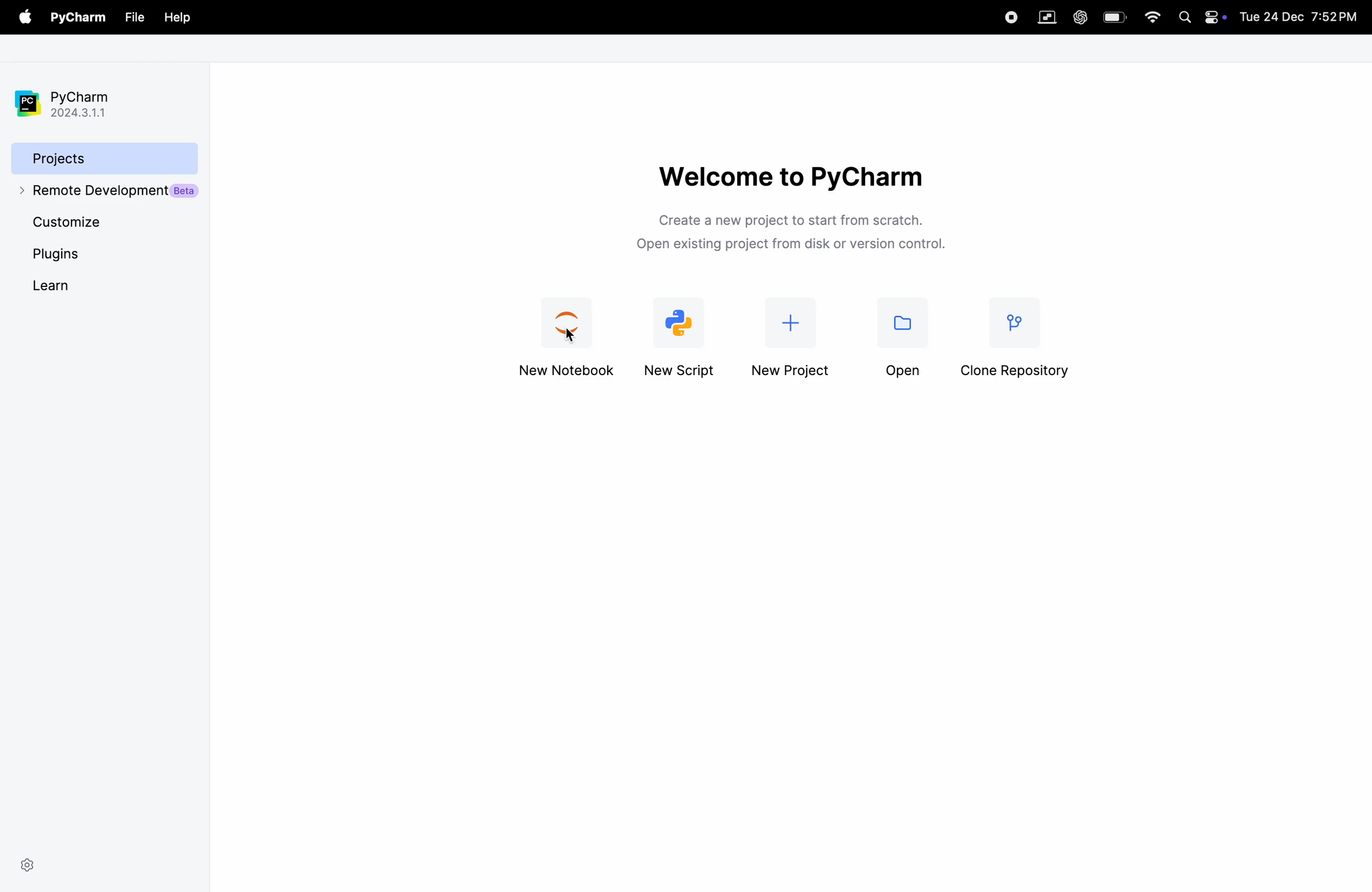 Image resolution: width=1372 pixels, height=892 pixels. Describe the element at coordinates (99, 157) in the screenshot. I see `projects` at that location.